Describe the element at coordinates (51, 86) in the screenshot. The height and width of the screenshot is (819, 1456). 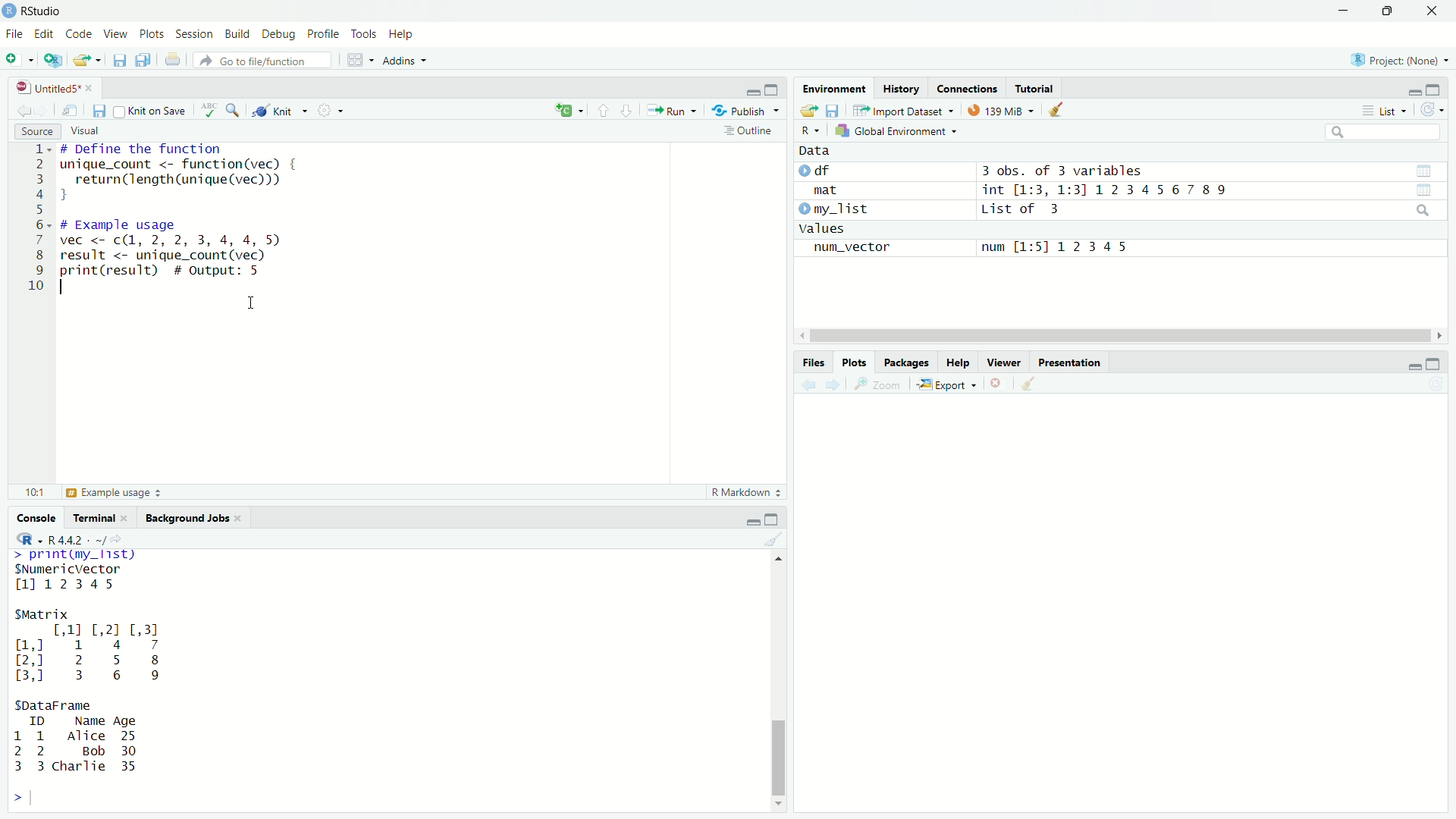
I see `untitled5` at that location.